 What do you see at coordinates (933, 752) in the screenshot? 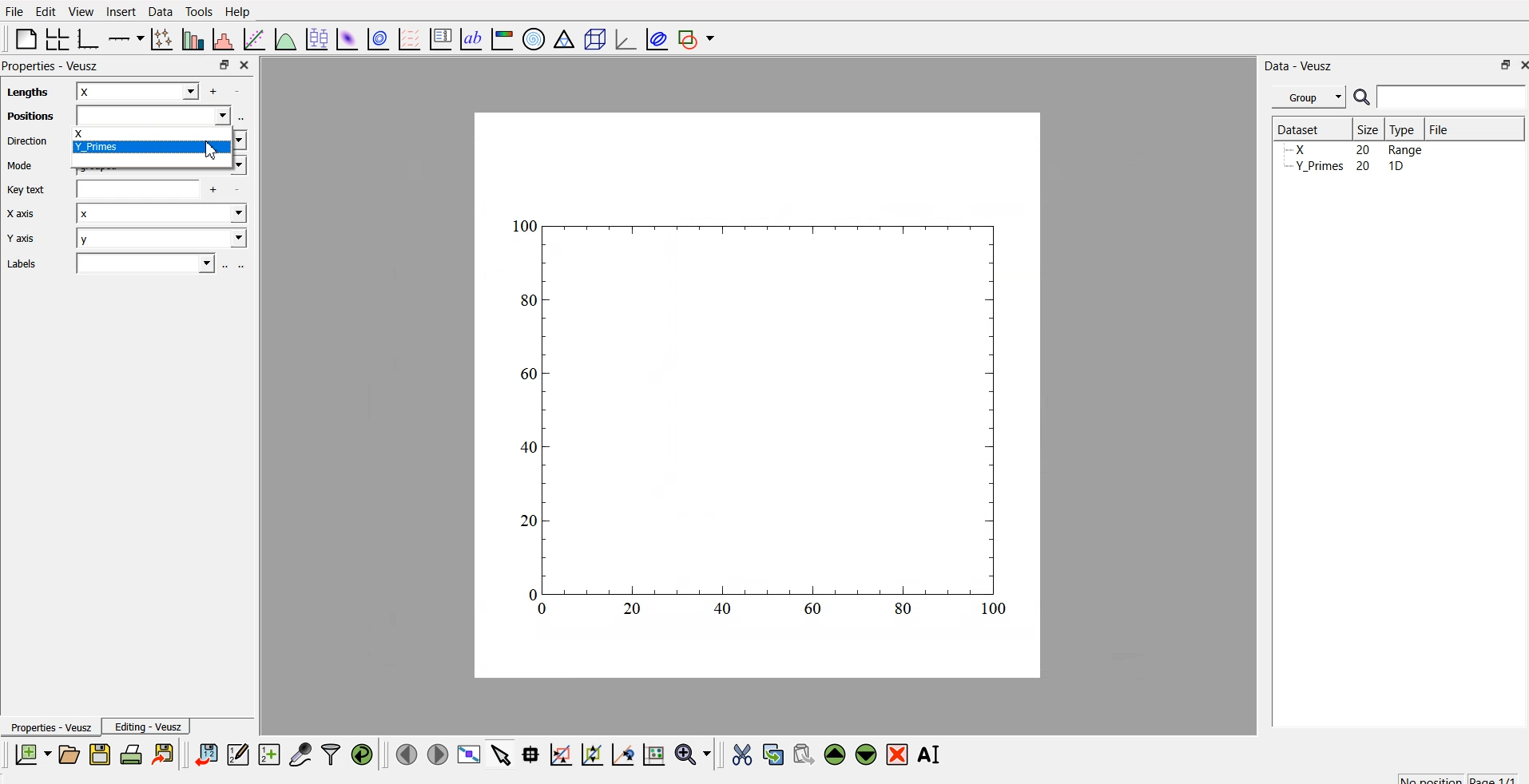
I see `rename the selected widget` at bounding box center [933, 752].